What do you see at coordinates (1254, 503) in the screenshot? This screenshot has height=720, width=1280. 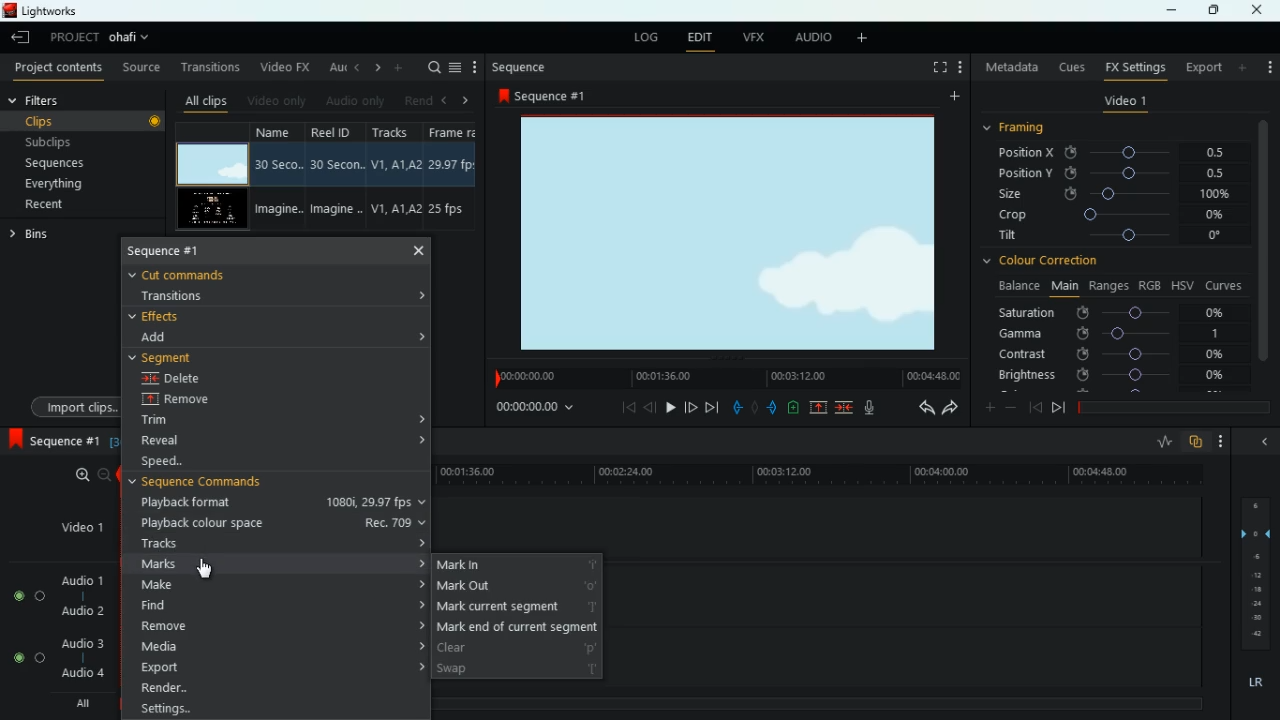 I see `6 (layer)` at bounding box center [1254, 503].